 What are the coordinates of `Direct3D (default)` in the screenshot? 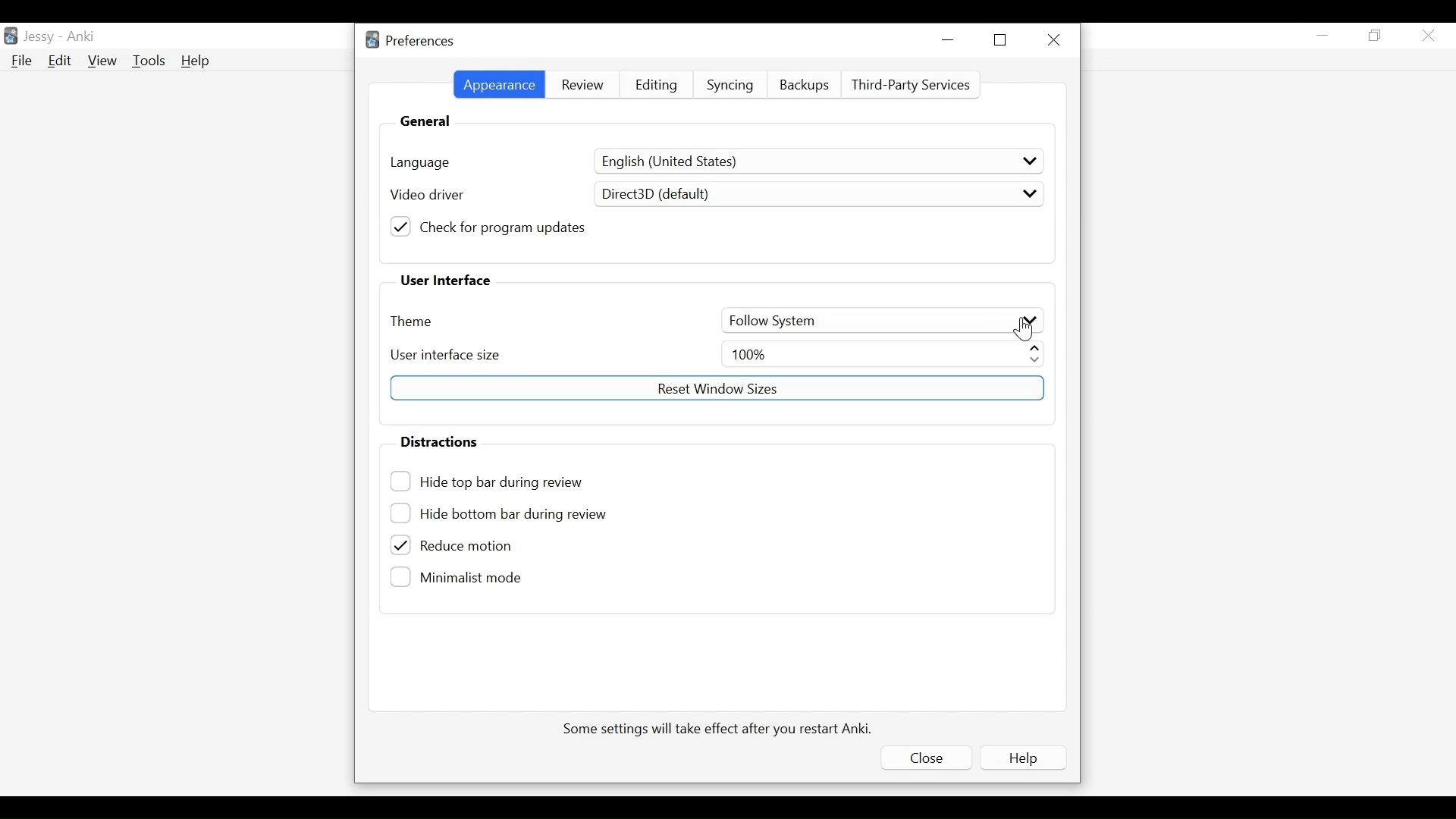 It's located at (817, 193).